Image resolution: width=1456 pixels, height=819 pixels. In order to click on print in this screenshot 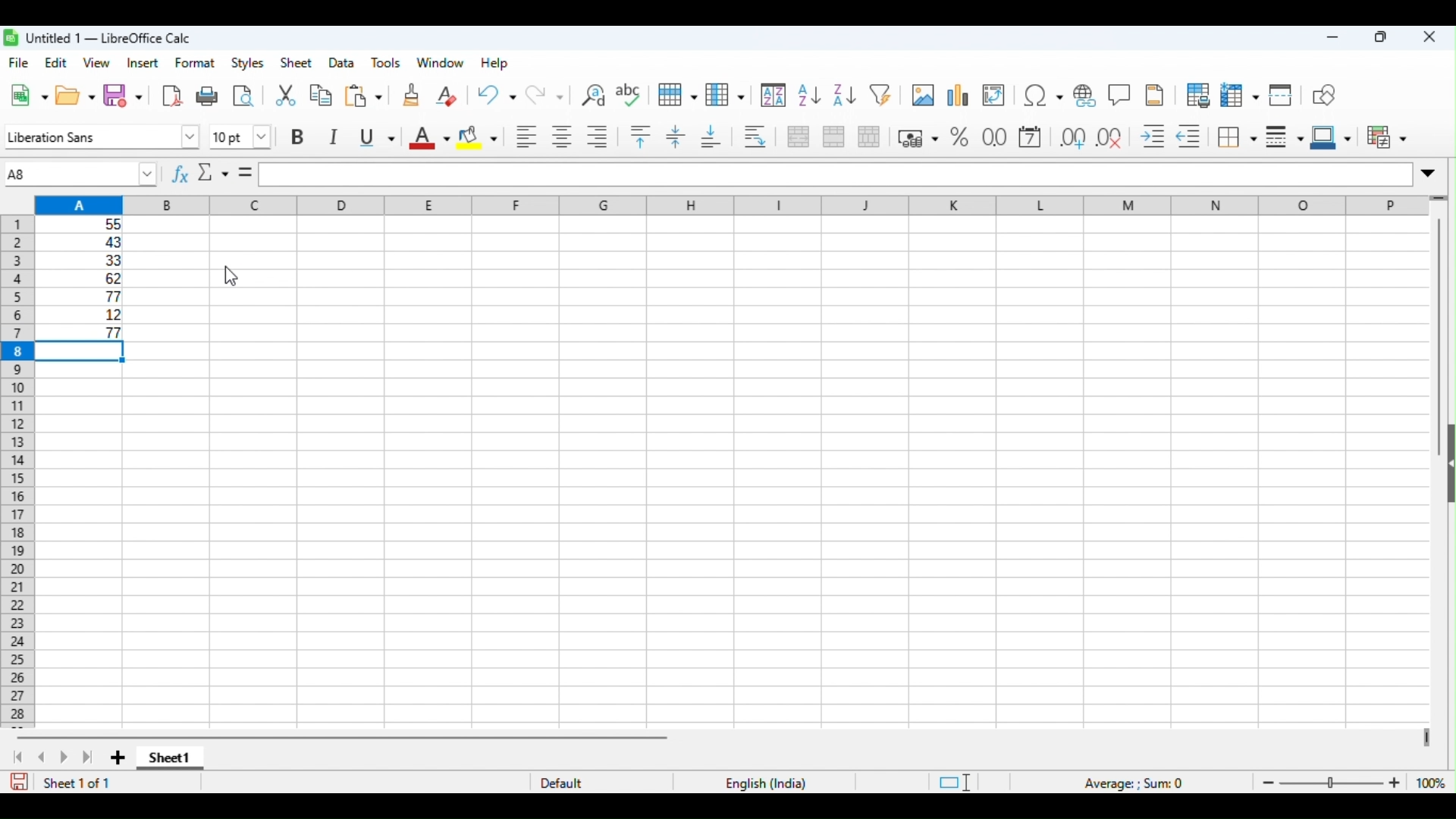, I will do `click(208, 96)`.